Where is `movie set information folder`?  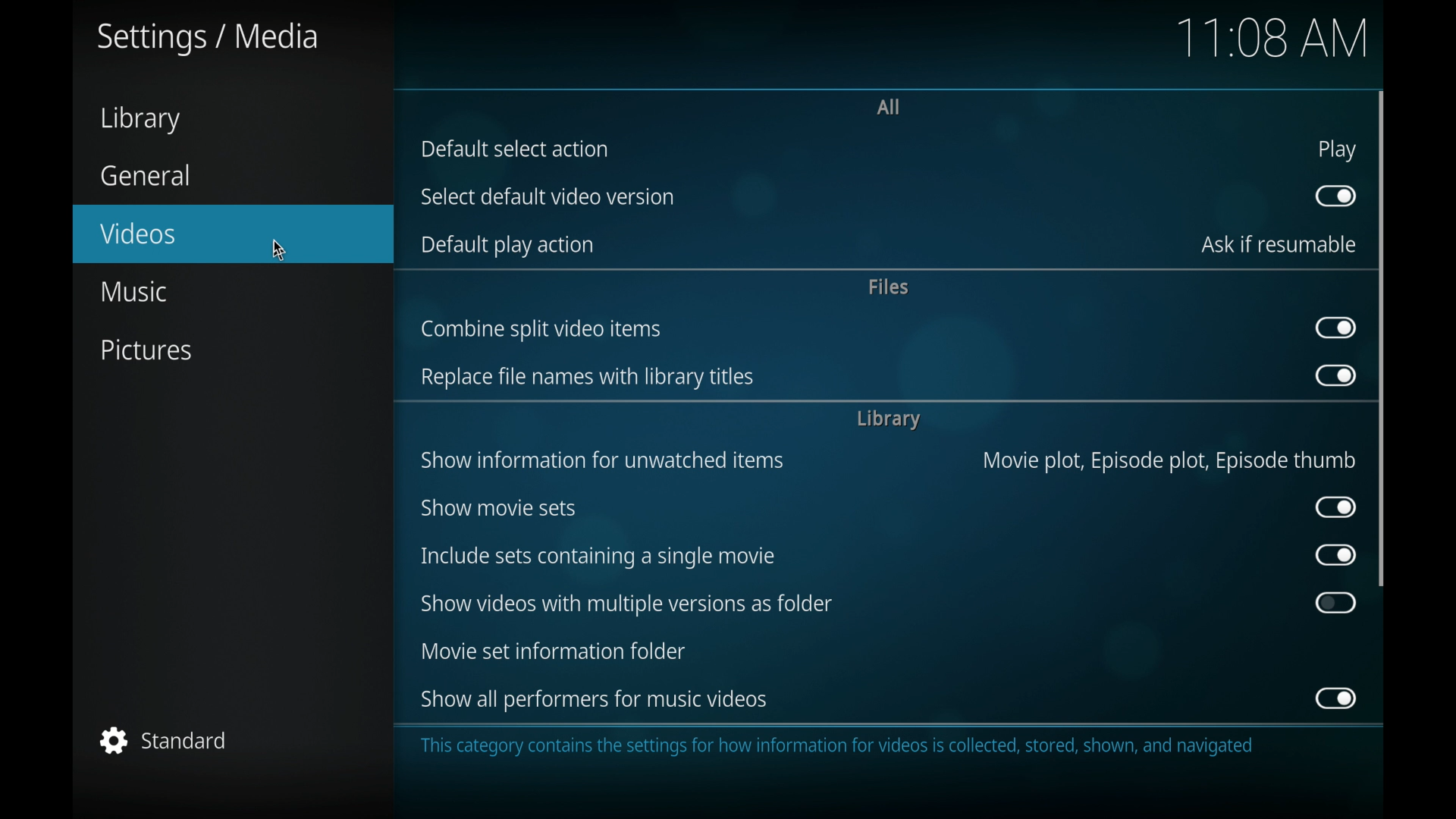 movie set information folder is located at coordinates (552, 651).